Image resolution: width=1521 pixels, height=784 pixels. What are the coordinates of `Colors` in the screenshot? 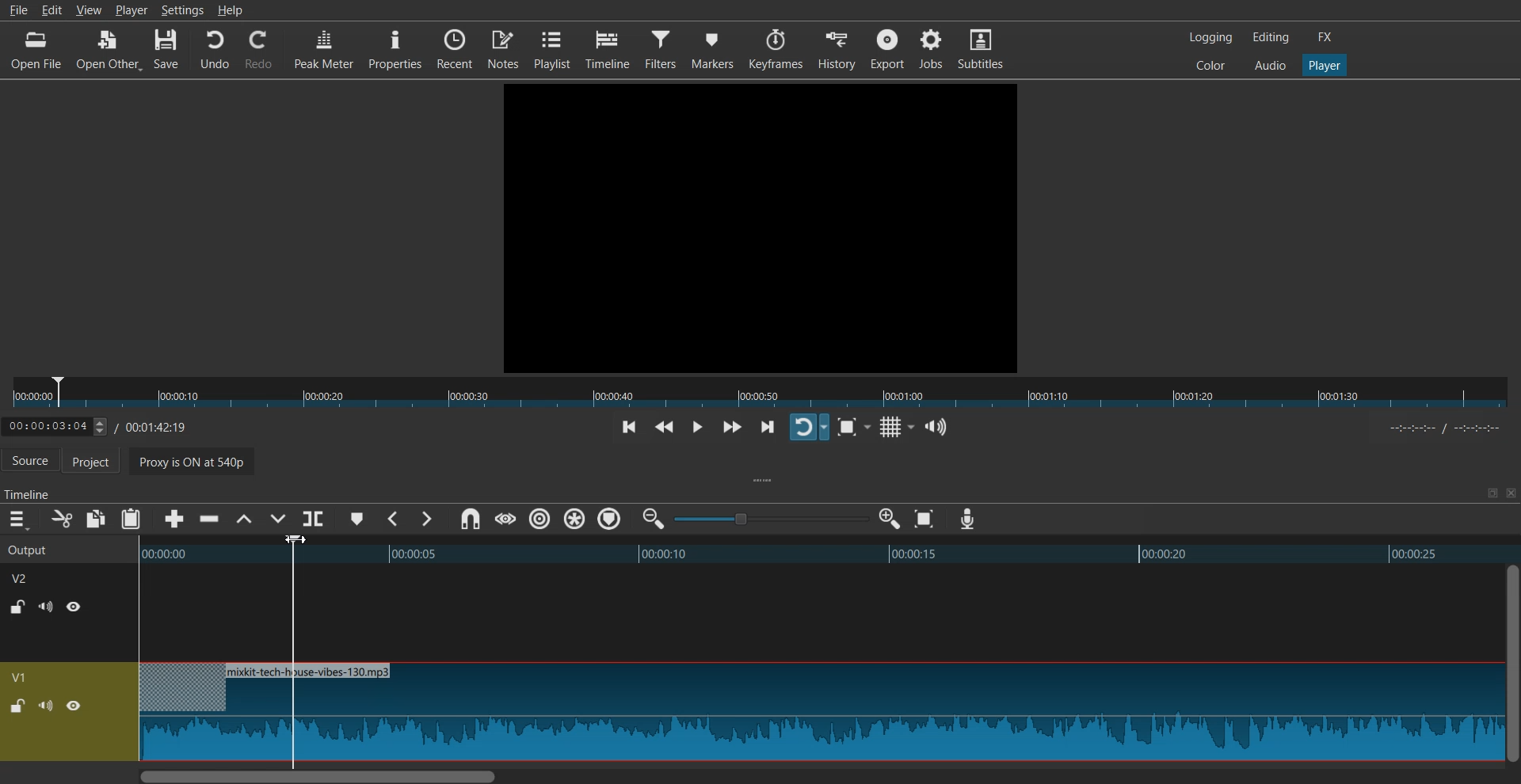 It's located at (1210, 64).